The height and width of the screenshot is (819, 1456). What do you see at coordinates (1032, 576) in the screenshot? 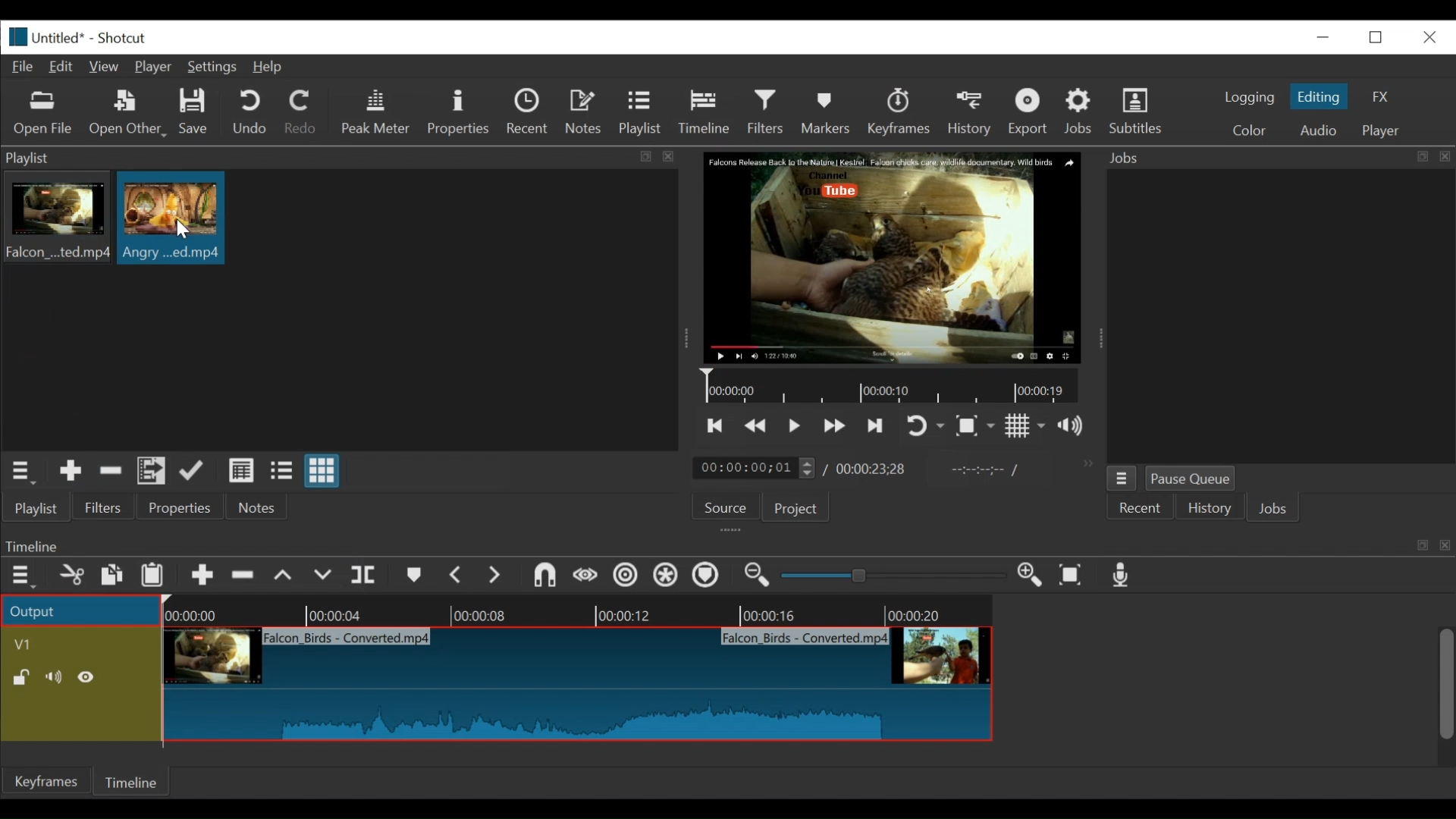
I see `Zoom in` at bounding box center [1032, 576].